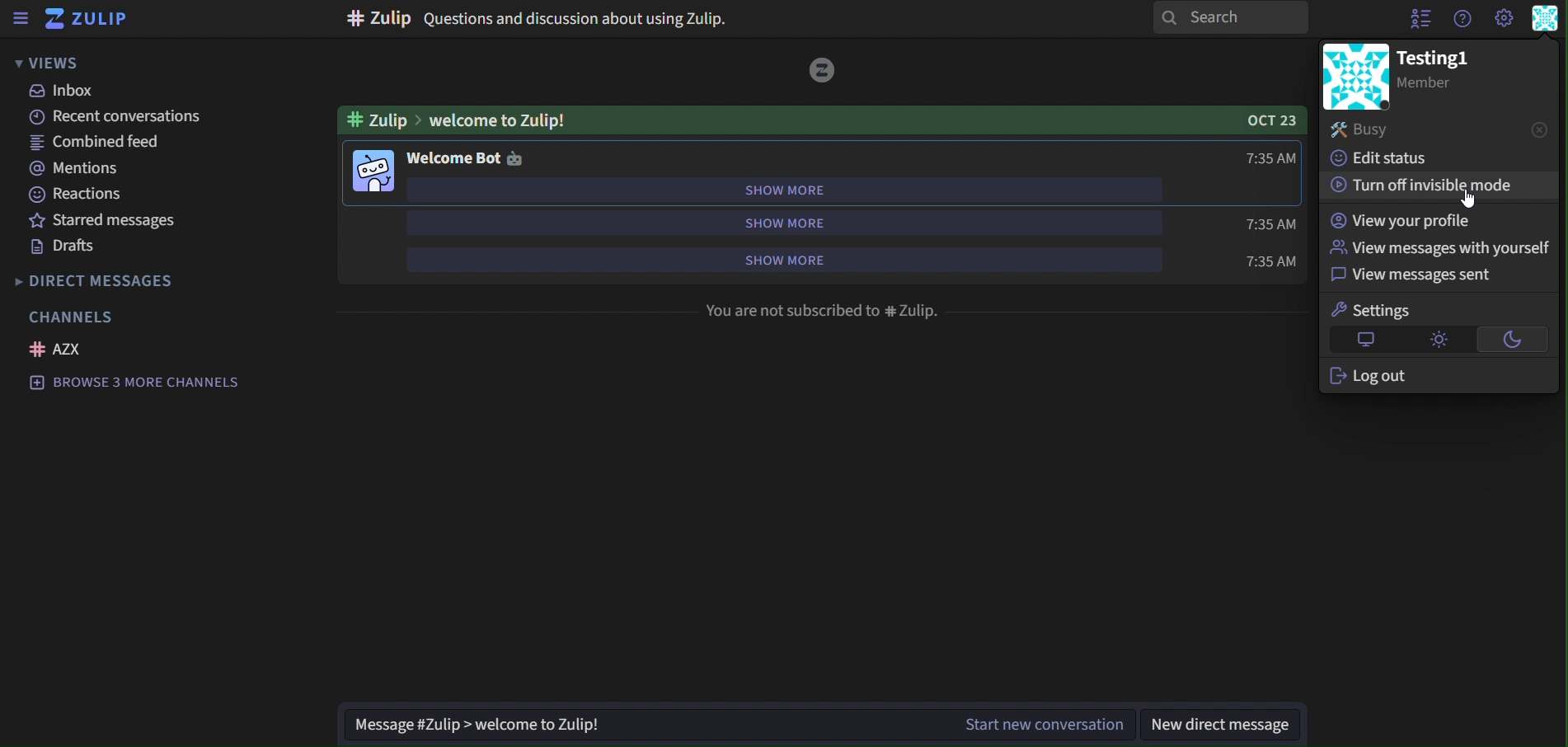 The height and width of the screenshot is (747, 1568). What do you see at coordinates (92, 19) in the screenshot?
I see `zulip` at bounding box center [92, 19].